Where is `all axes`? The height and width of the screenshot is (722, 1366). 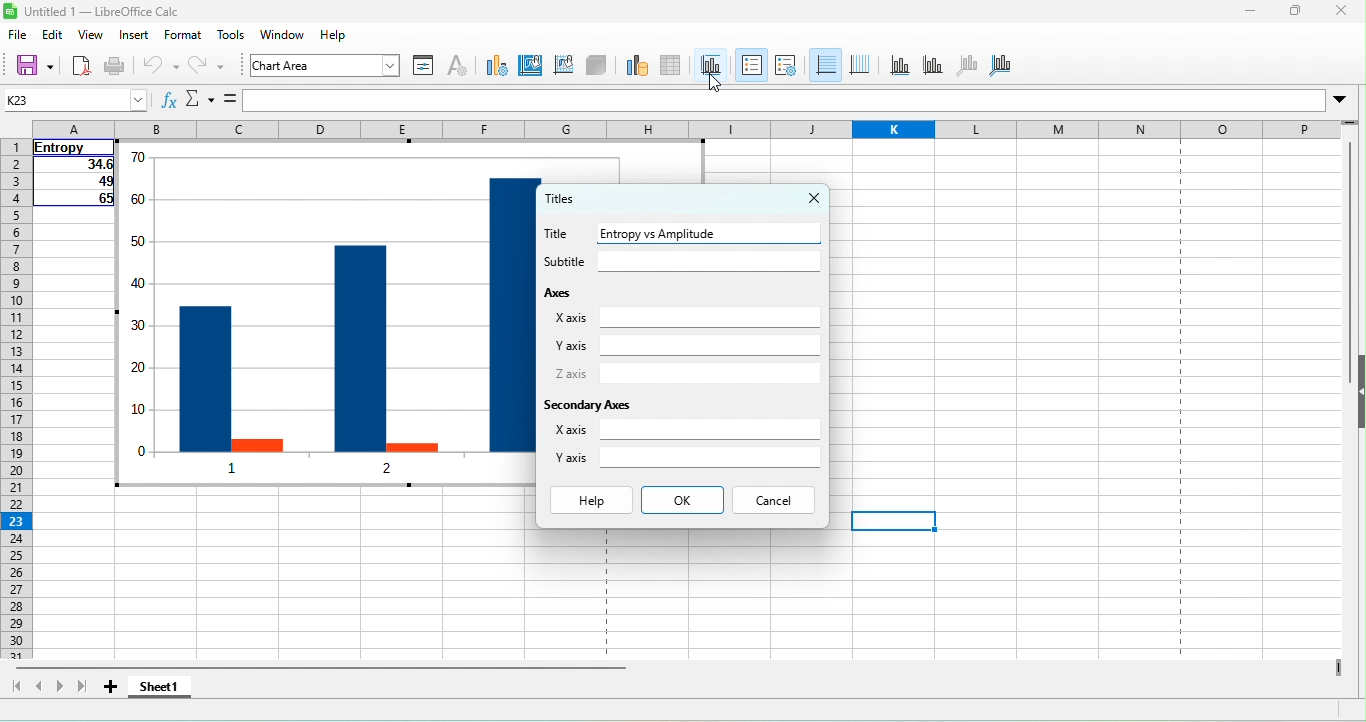
all axes is located at coordinates (1010, 69).